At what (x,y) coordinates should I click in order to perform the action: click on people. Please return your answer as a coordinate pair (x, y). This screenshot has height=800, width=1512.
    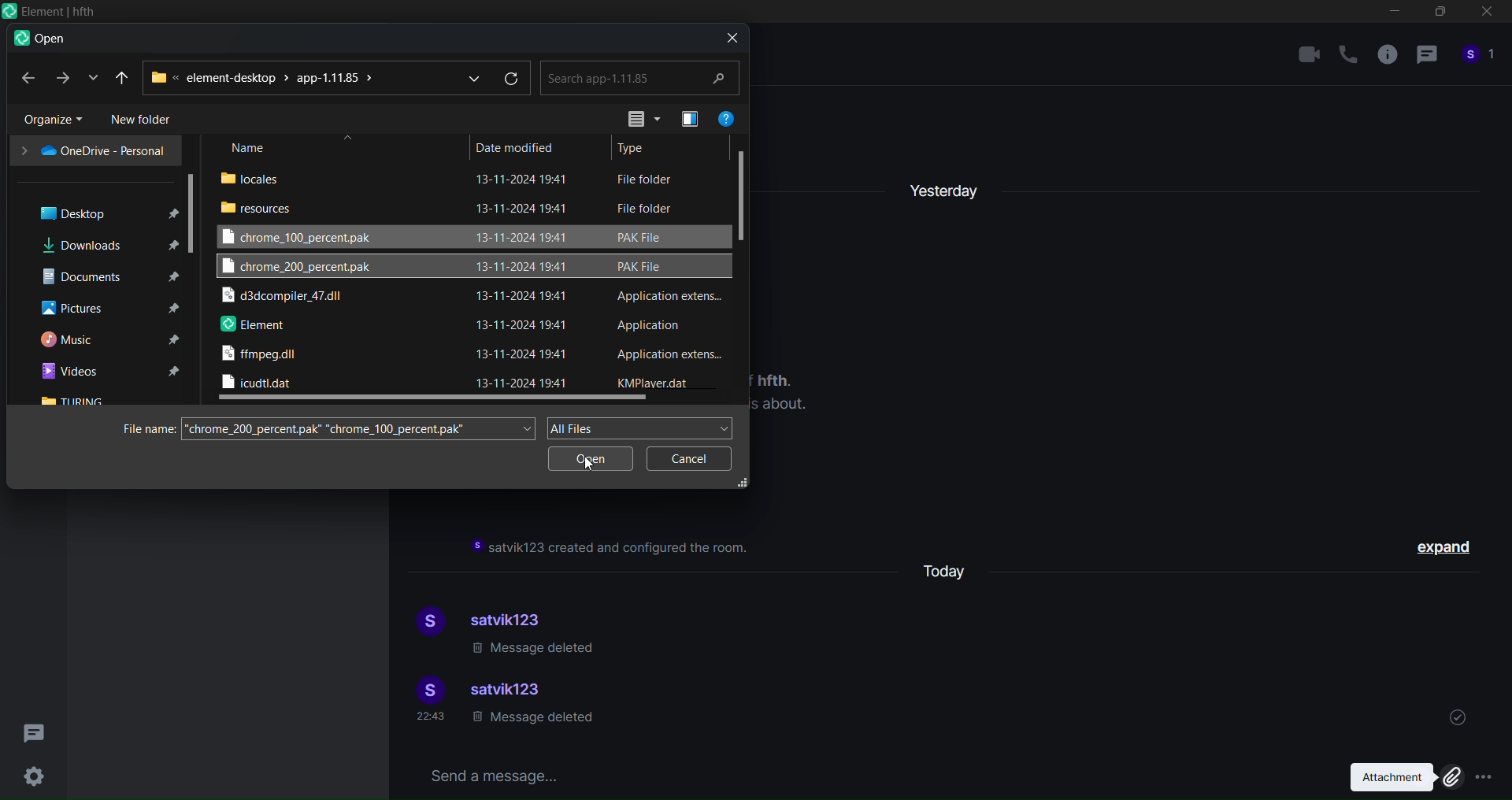
    Looking at the image, I should click on (1479, 59).